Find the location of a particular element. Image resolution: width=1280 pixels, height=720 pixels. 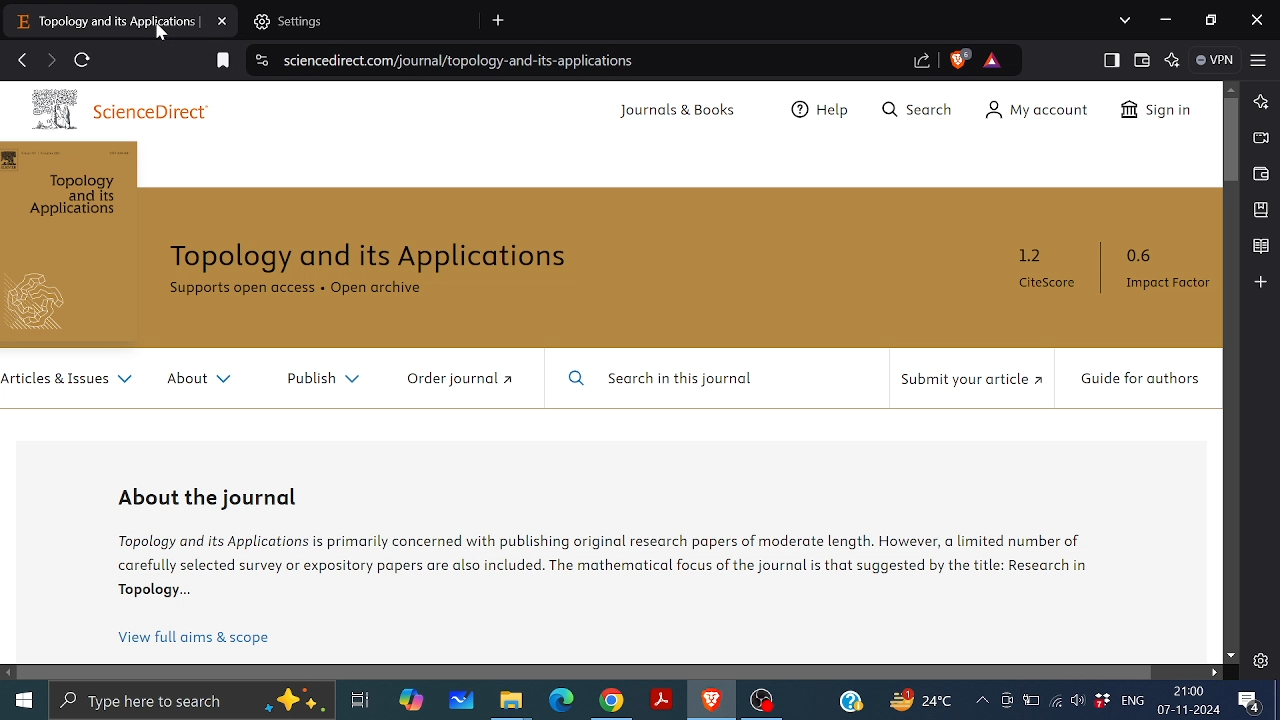

logo is located at coordinates (44, 302).